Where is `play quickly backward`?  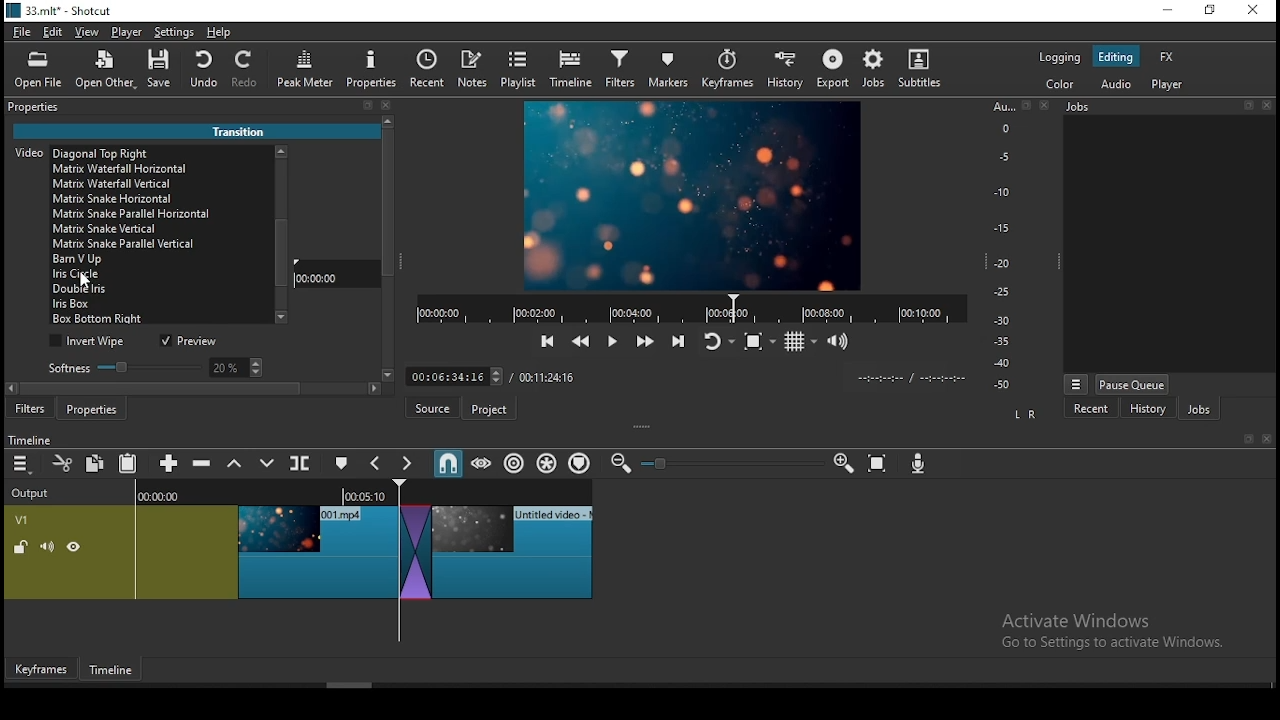
play quickly backward is located at coordinates (579, 339).